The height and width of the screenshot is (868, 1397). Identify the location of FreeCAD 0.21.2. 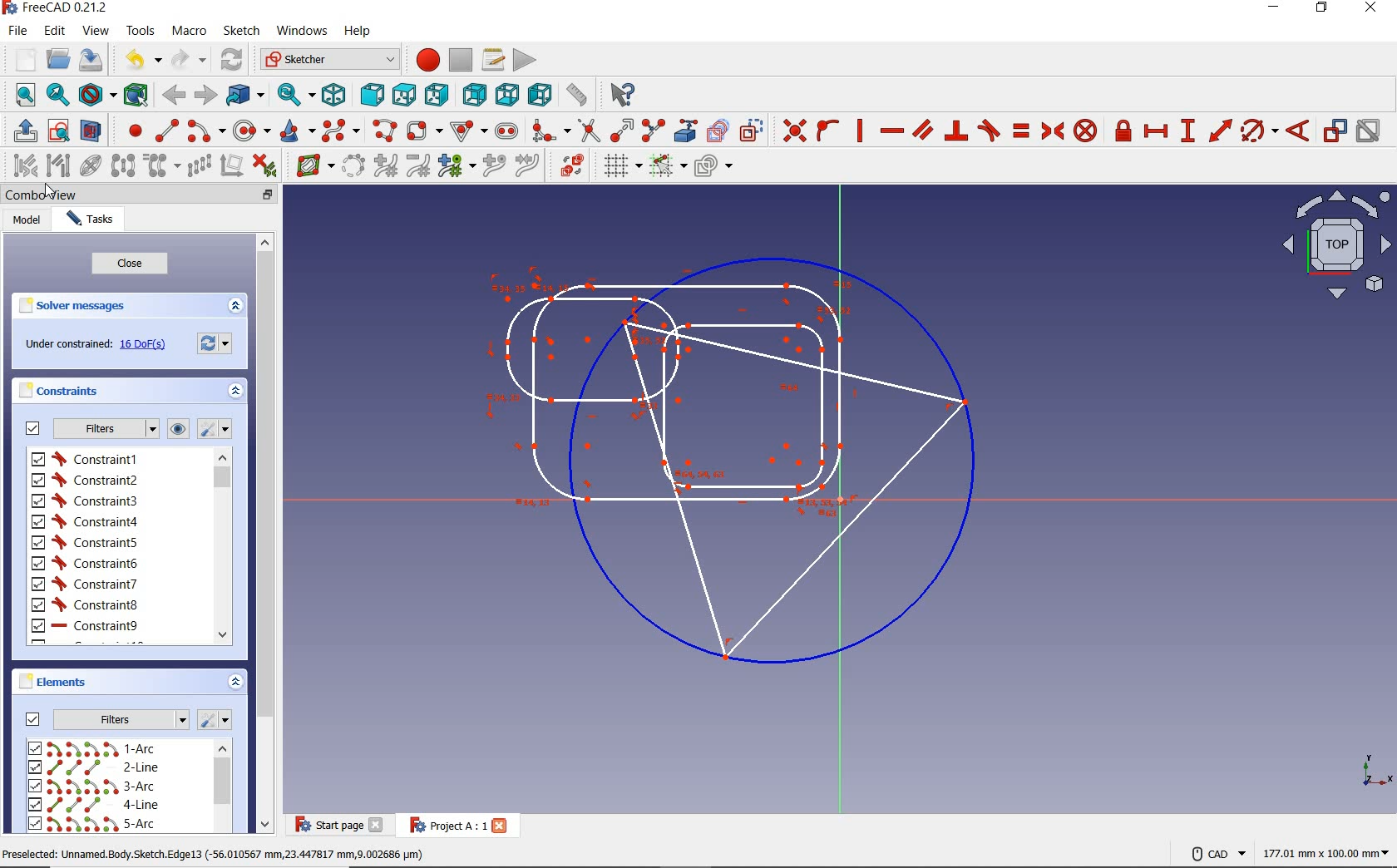
(62, 8).